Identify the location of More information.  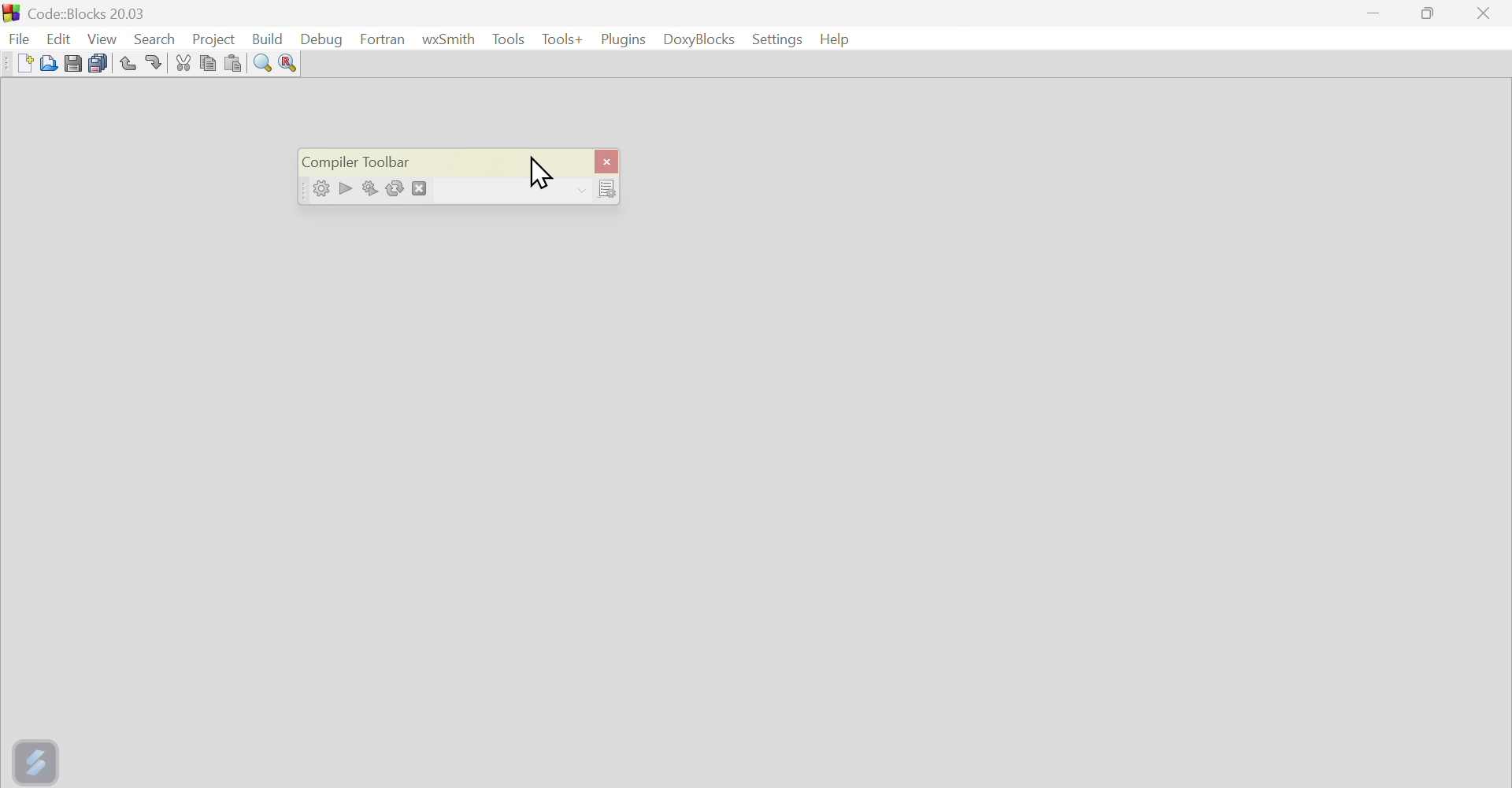
(598, 188).